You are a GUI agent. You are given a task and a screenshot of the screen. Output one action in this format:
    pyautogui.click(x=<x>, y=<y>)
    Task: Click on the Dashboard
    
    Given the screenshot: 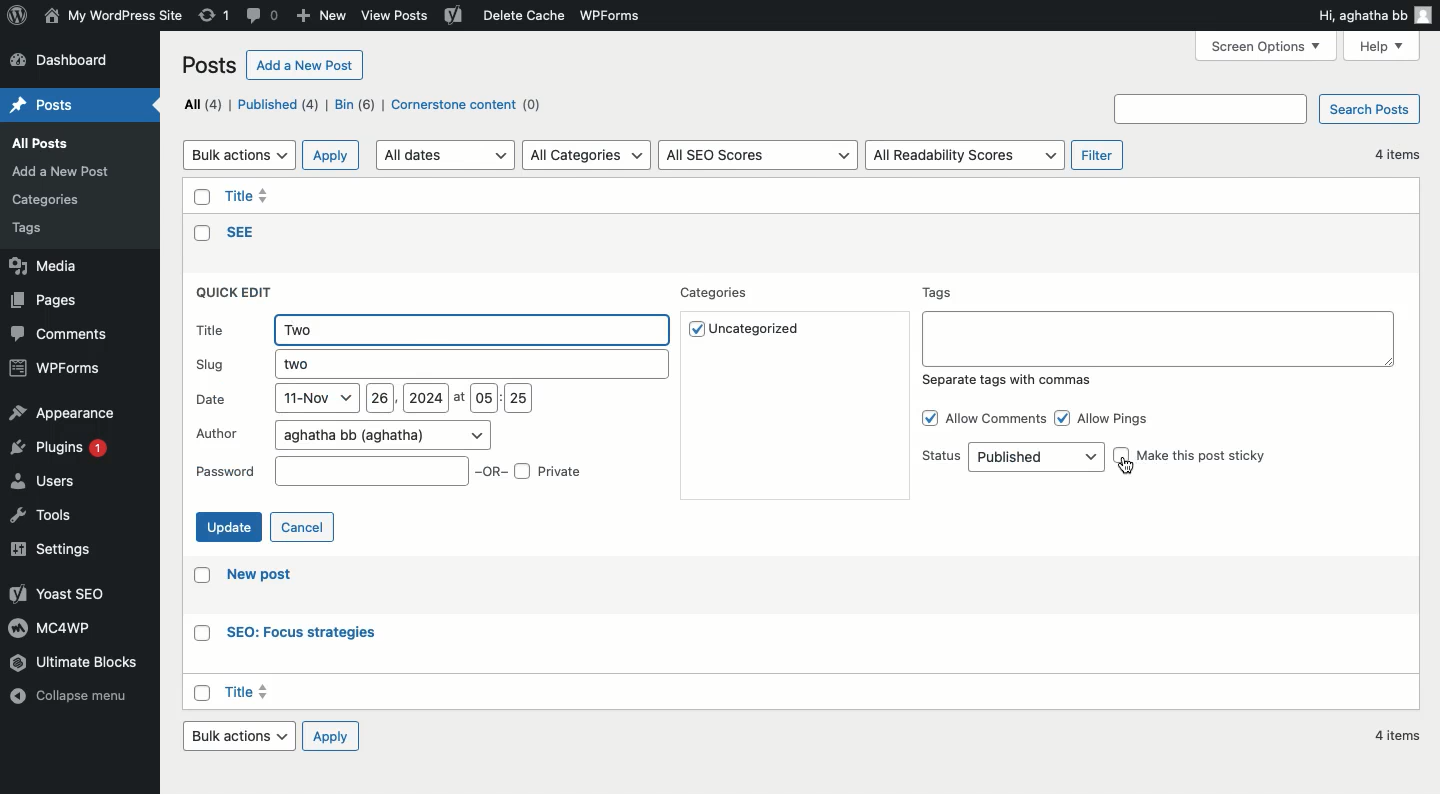 What is the action you would take?
    pyautogui.click(x=67, y=61)
    